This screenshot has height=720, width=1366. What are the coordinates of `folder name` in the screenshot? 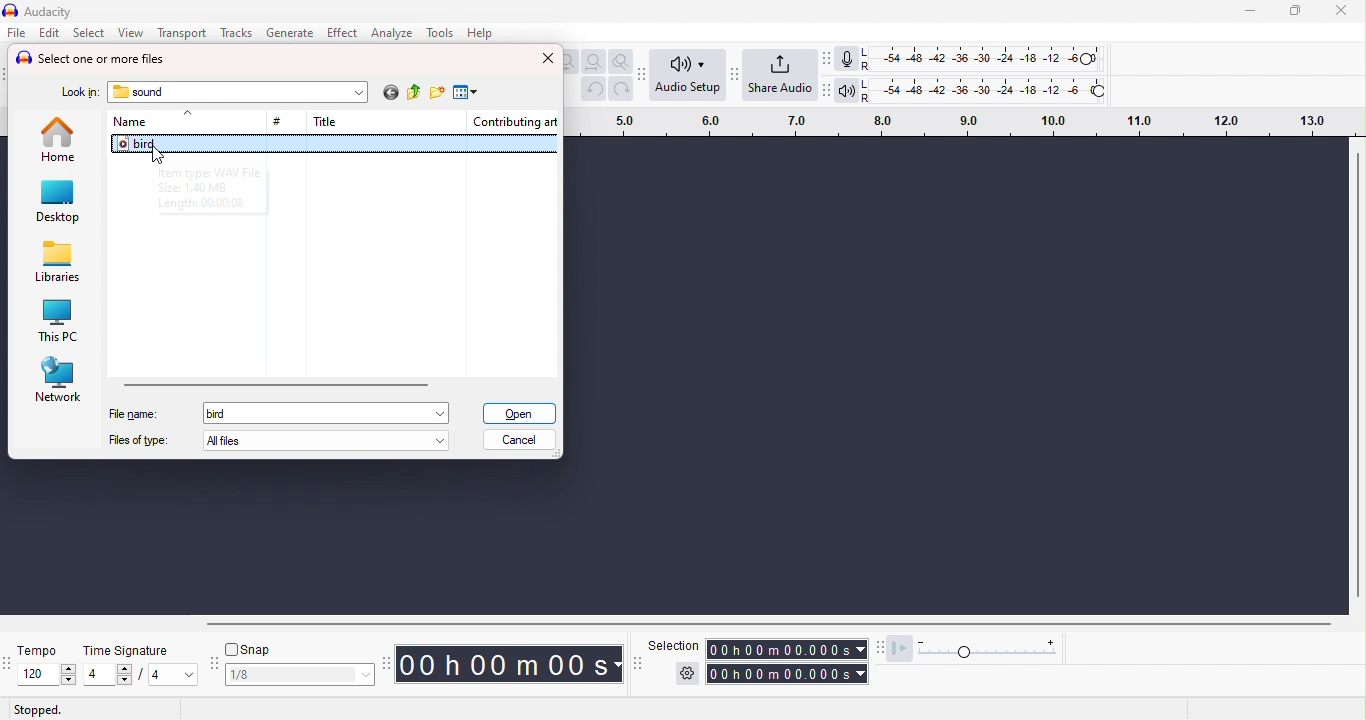 It's located at (141, 92).